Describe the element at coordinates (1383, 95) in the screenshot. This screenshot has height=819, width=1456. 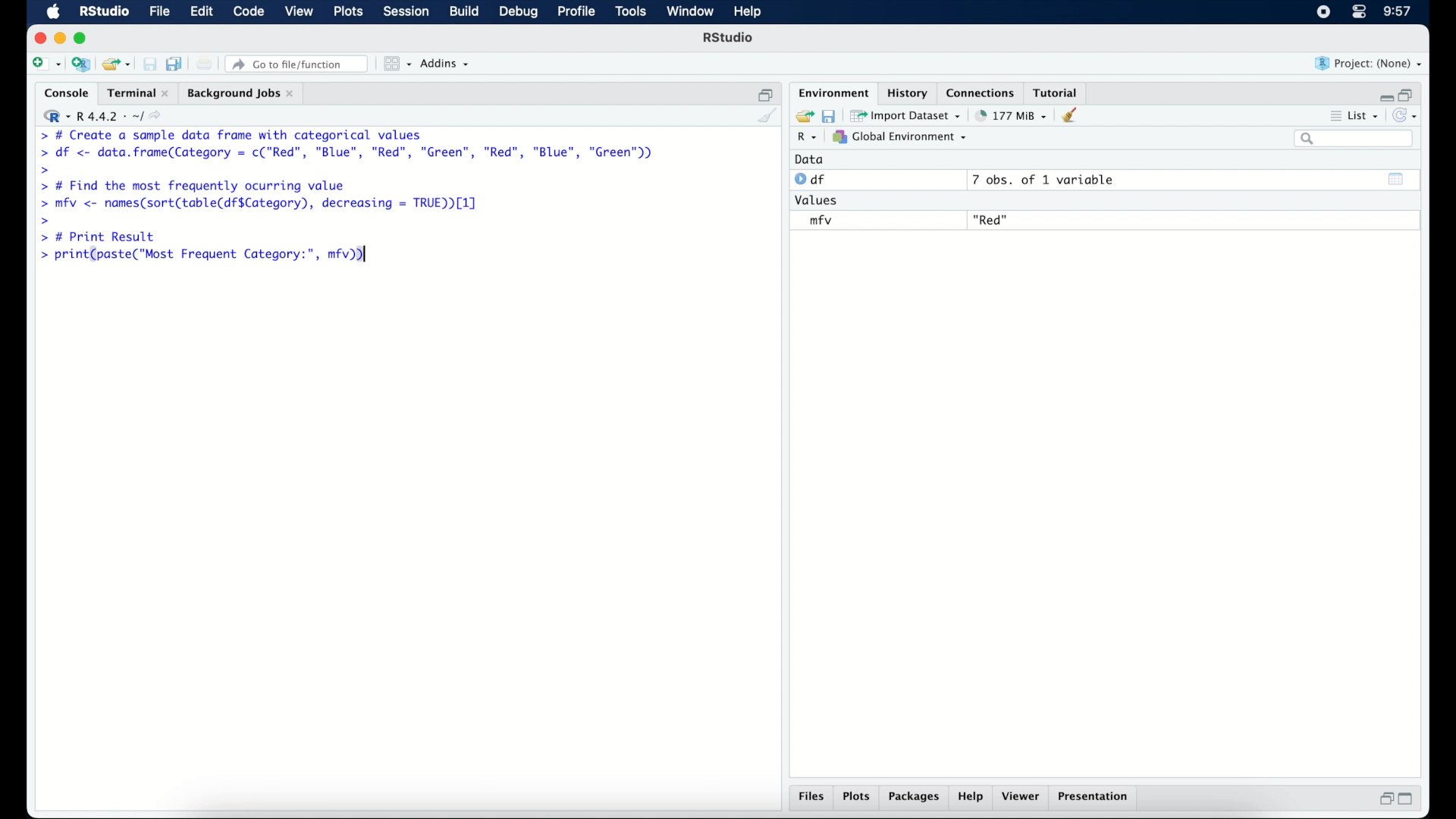
I see `minimize` at that location.